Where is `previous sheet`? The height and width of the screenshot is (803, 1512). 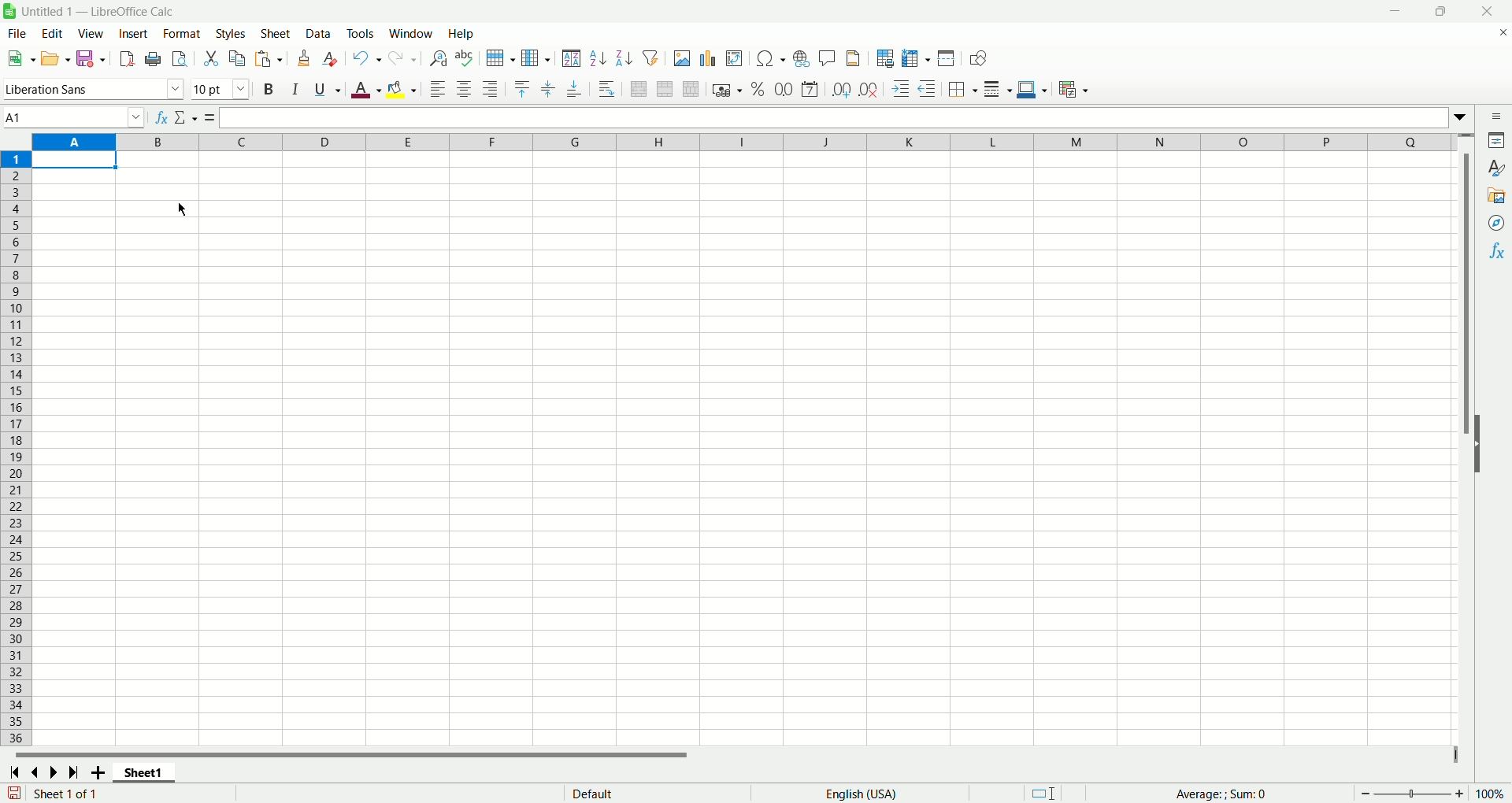
previous sheet is located at coordinates (38, 772).